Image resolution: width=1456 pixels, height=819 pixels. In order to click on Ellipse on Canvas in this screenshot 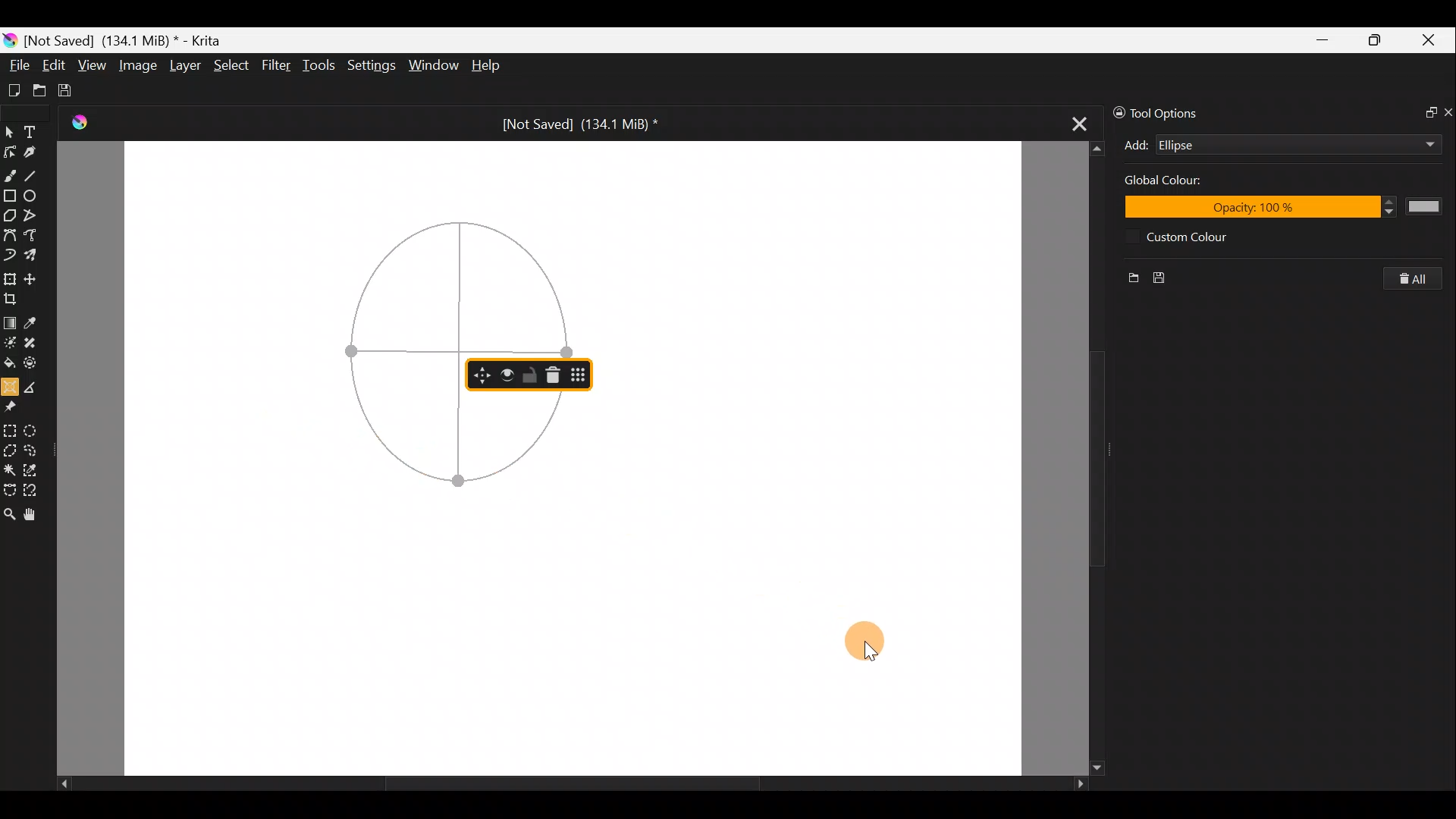, I will do `click(409, 347)`.